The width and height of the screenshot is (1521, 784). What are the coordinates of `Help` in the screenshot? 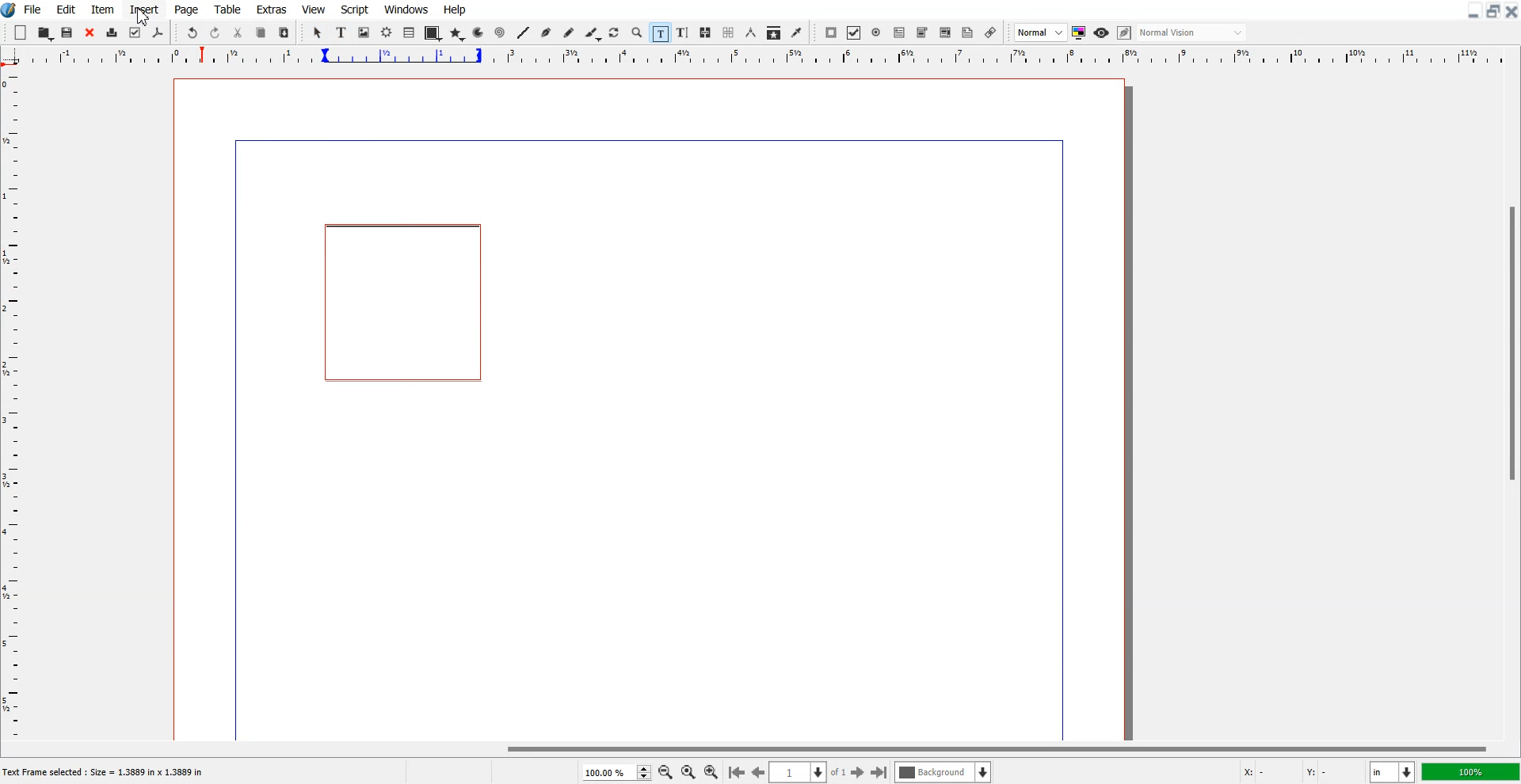 It's located at (454, 10).